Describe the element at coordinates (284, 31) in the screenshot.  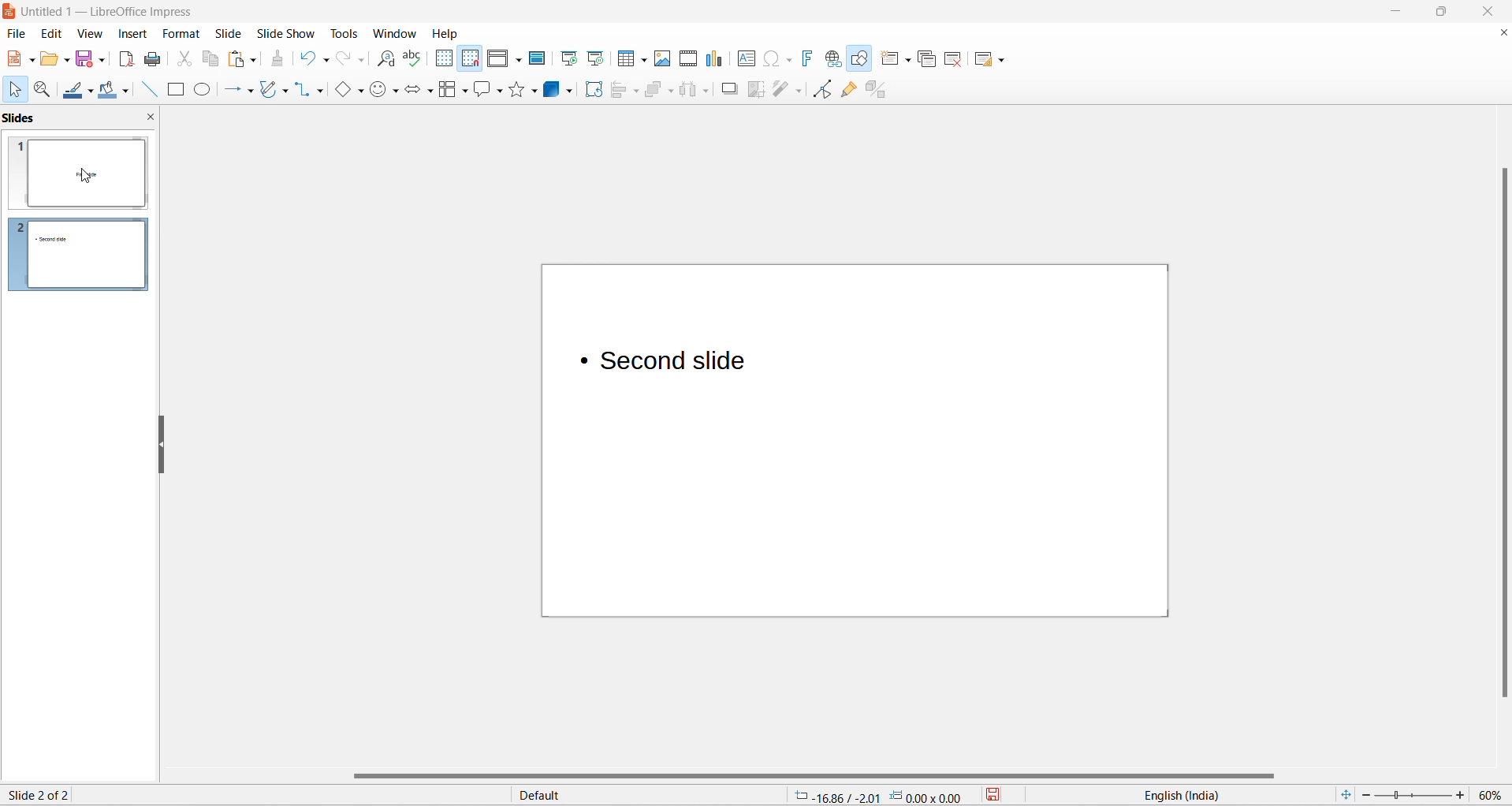
I see `slide show` at that location.